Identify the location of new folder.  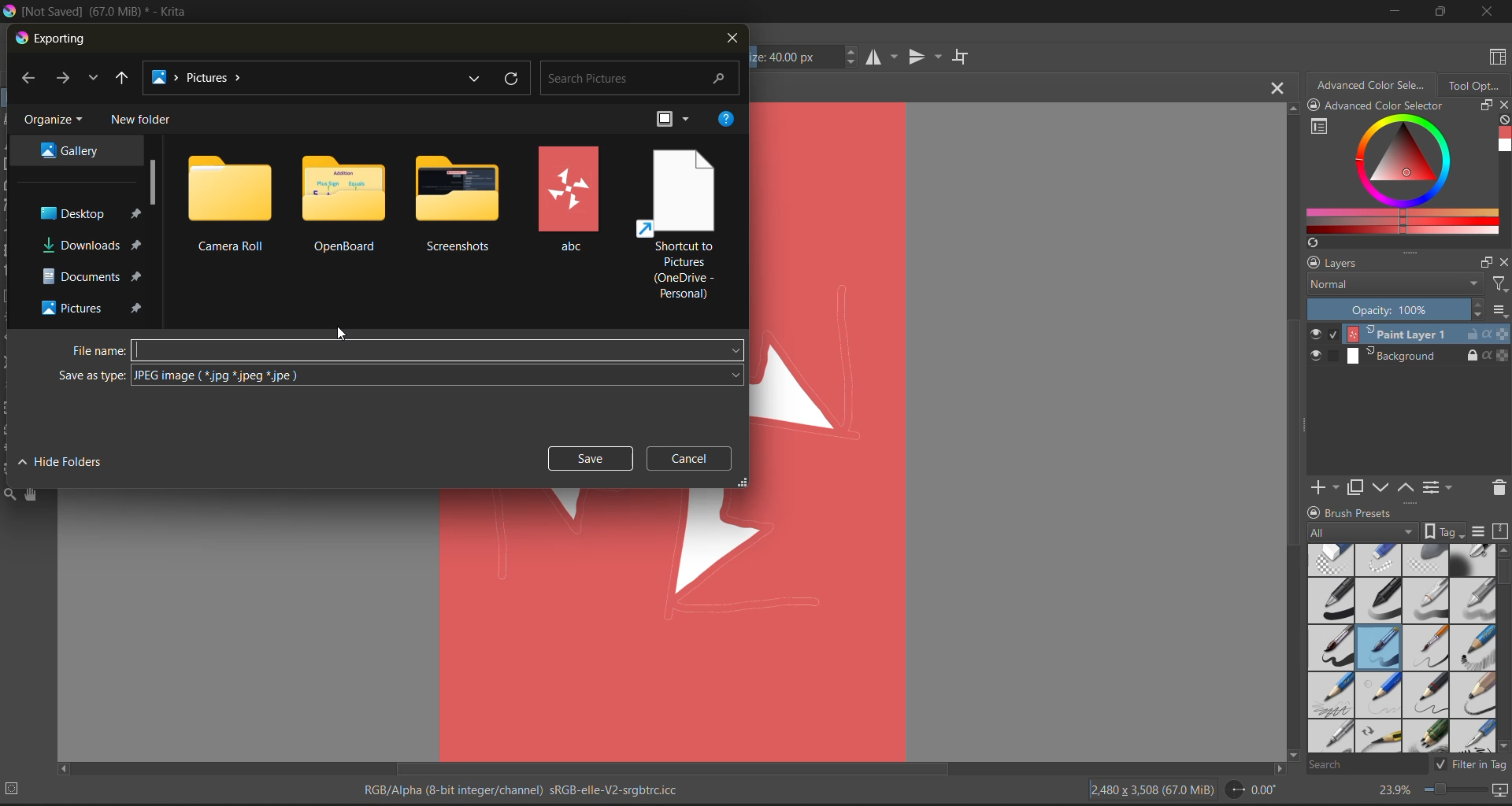
(144, 120).